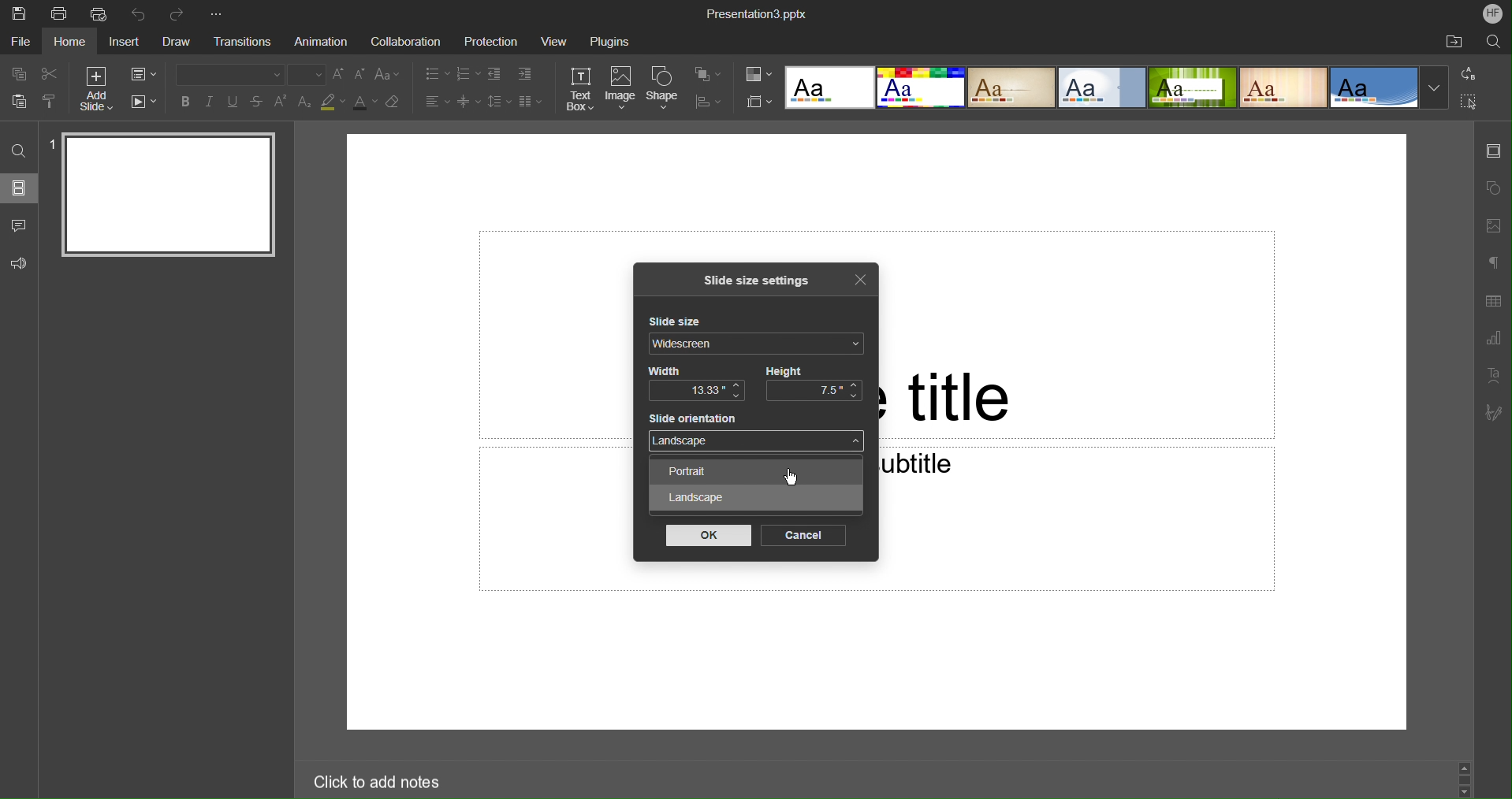 Image resolution: width=1512 pixels, height=799 pixels. I want to click on Portrait, so click(756, 471).